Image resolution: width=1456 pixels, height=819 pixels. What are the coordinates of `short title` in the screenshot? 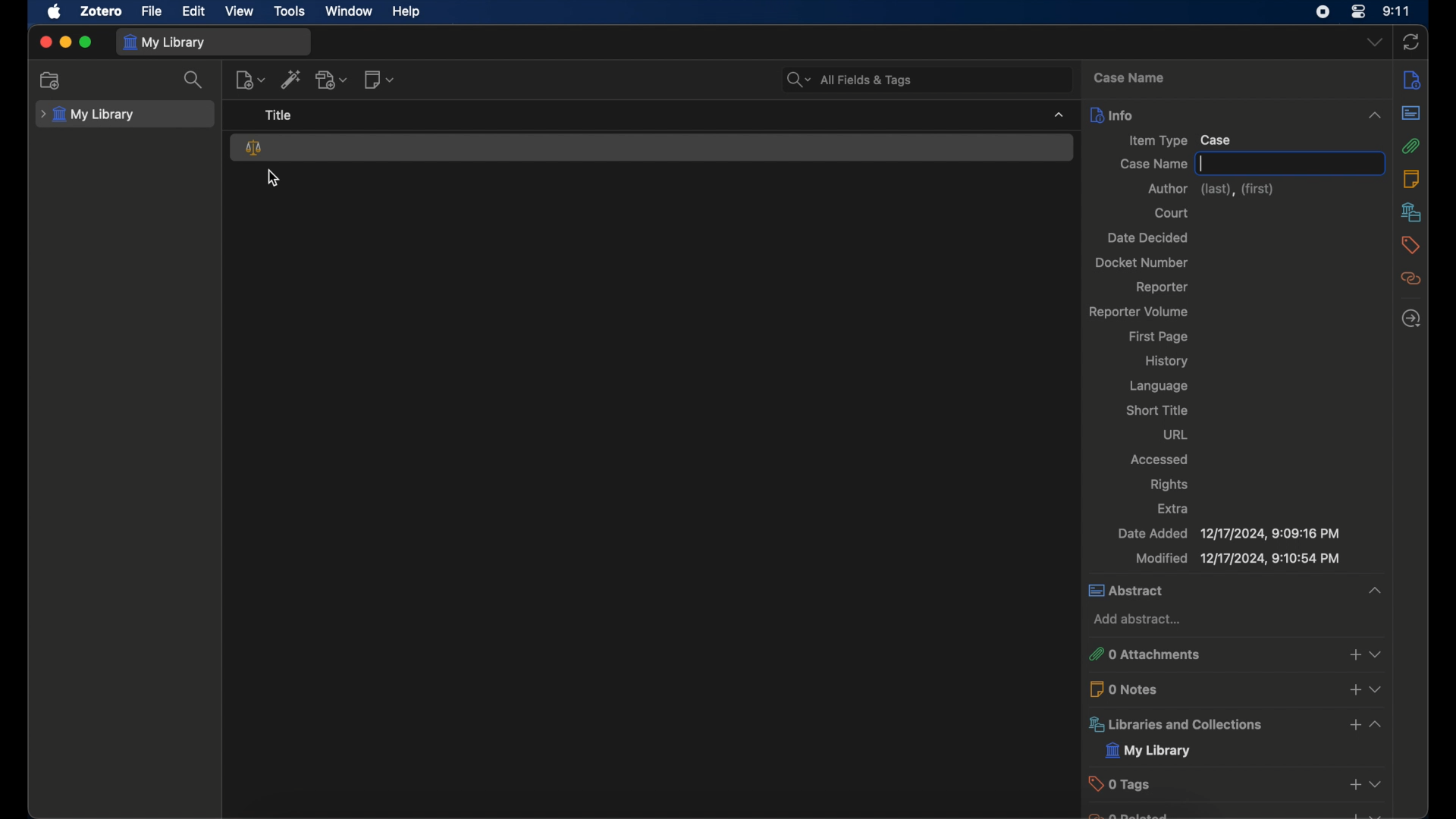 It's located at (1157, 409).